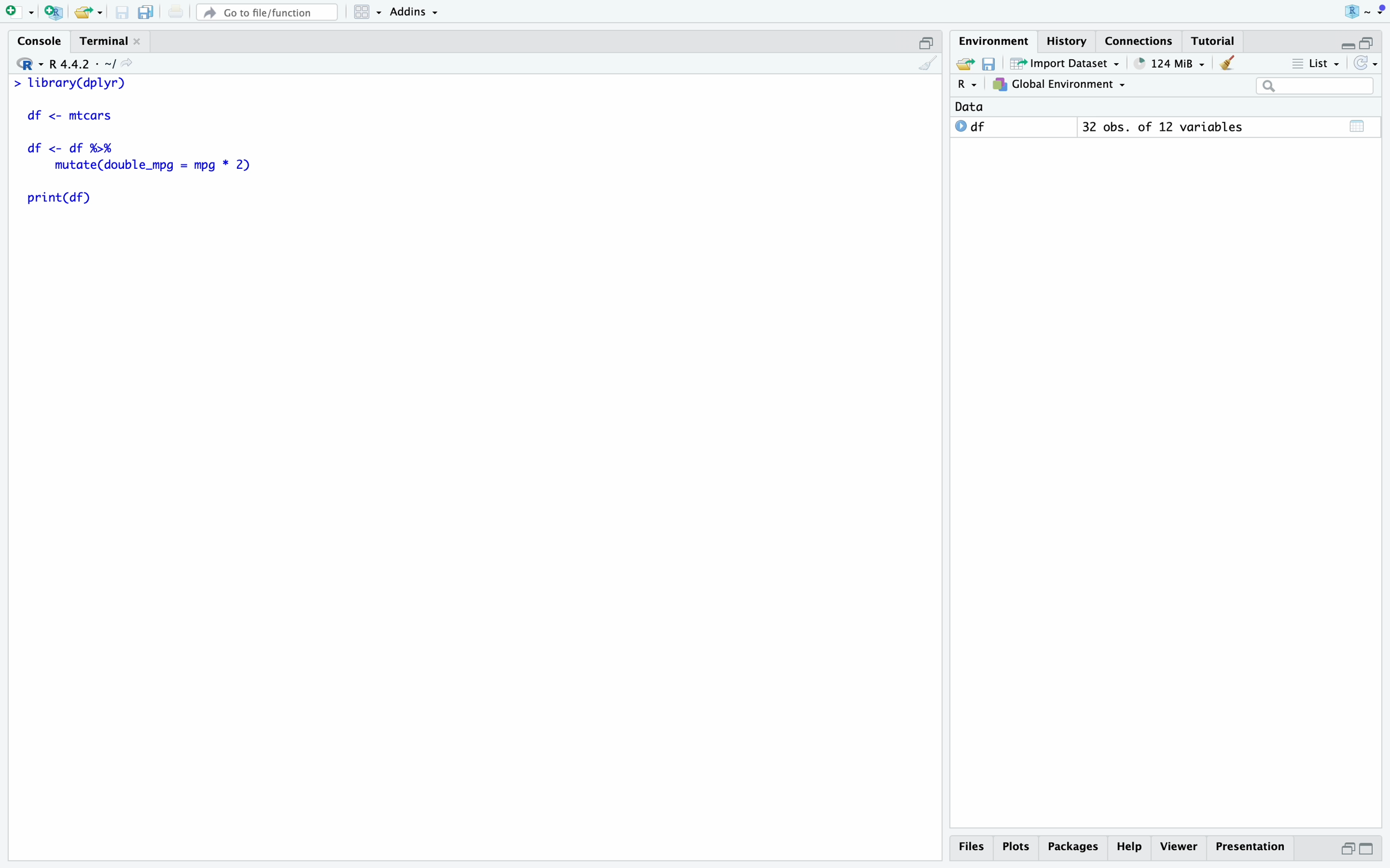 Image resolution: width=1390 pixels, height=868 pixels. What do you see at coordinates (1018, 847) in the screenshot?
I see `plots` at bounding box center [1018, 847].